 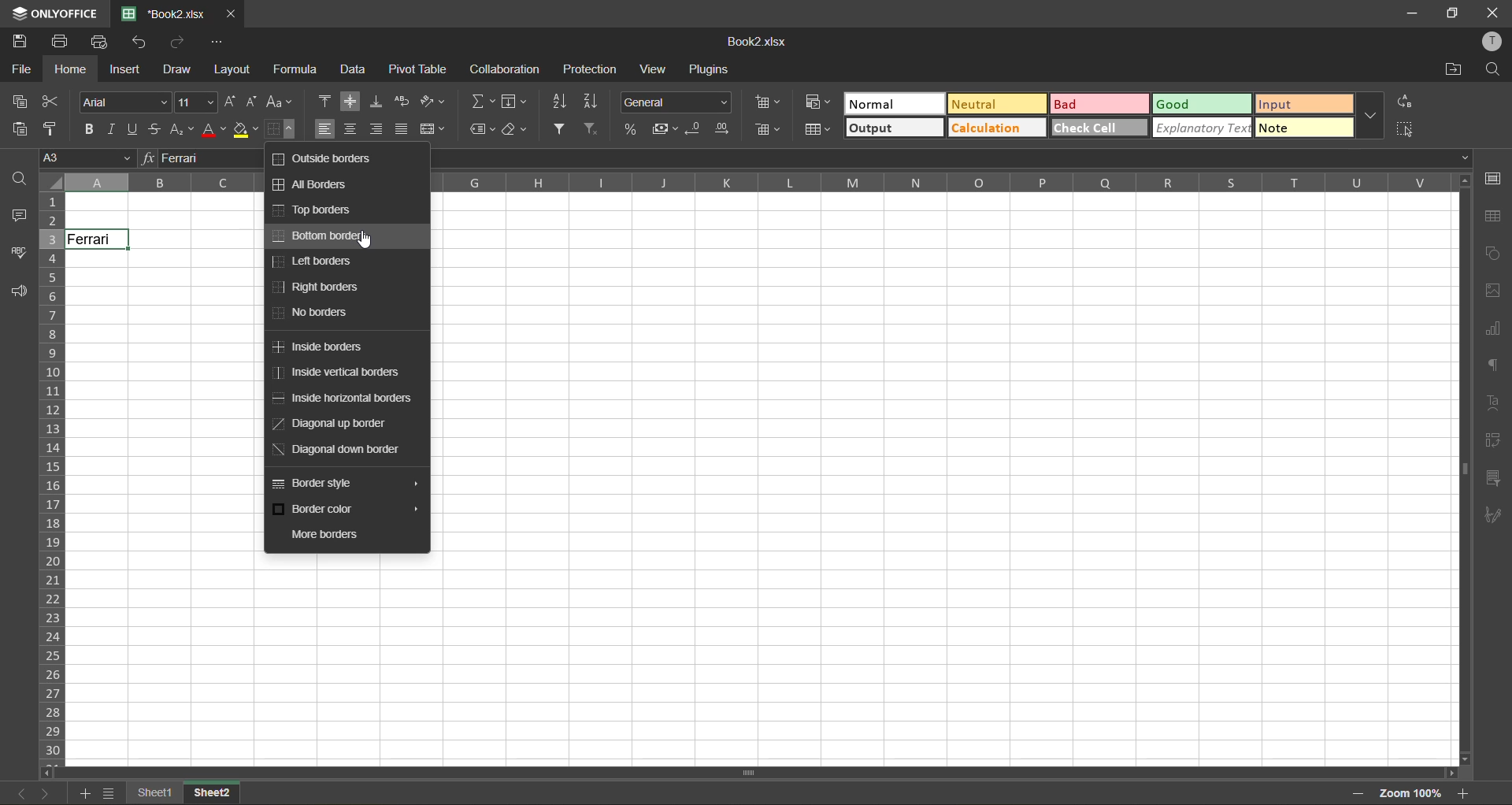 What do you see at coordinates (1203, 105) in the screenshot?
I see `good` at bounding box center [1203, 105].